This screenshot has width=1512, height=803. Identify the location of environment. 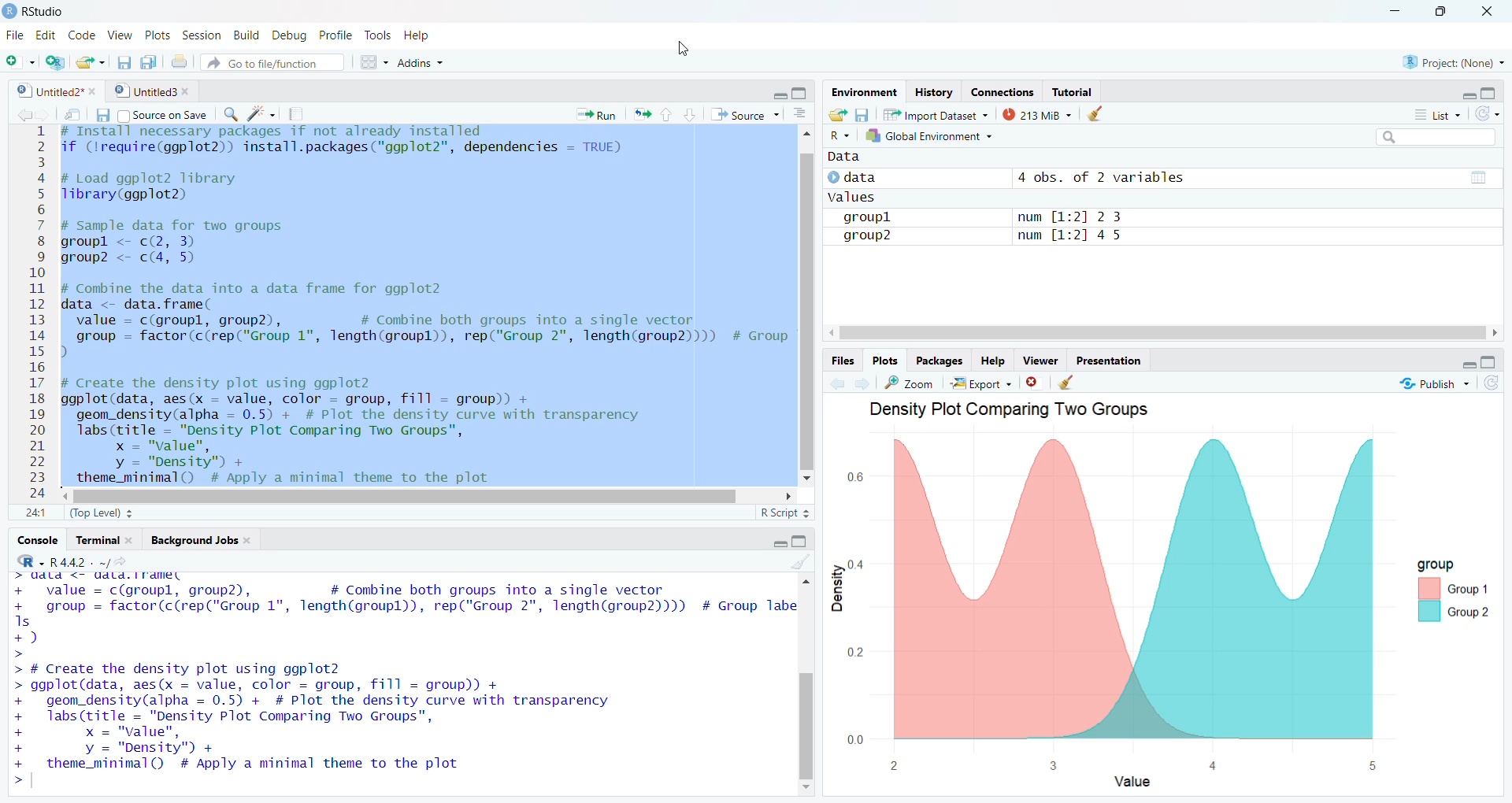
(859, 92).